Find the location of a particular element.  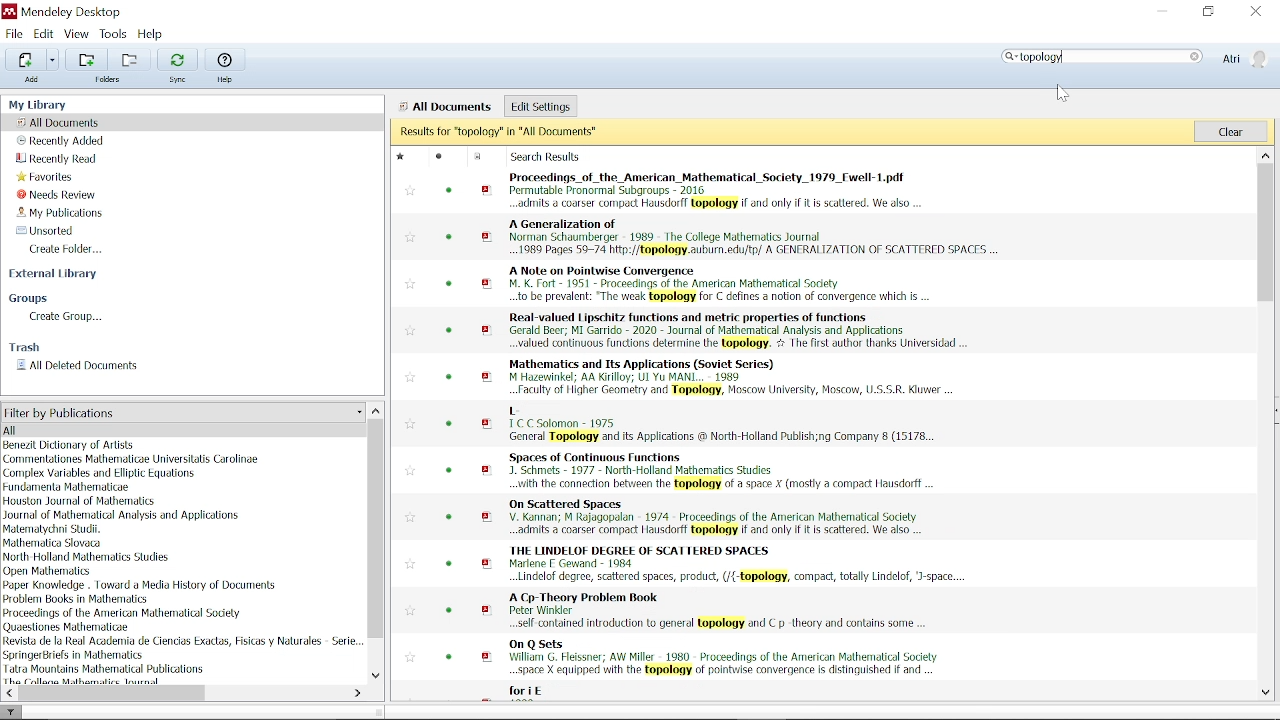

read is located at coordinates (448, 516).